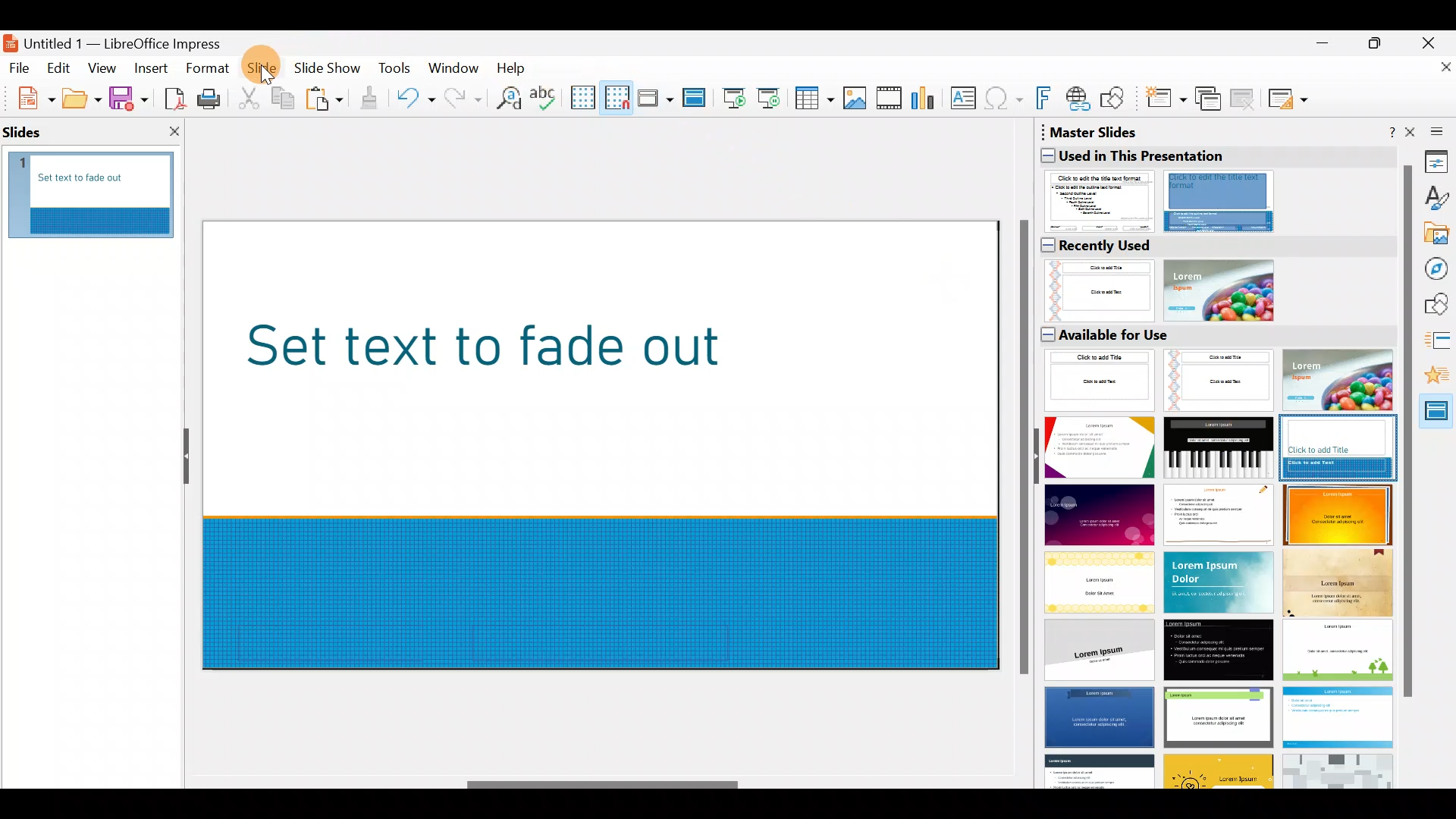  I want to click on Close document, so click(1437, 74).